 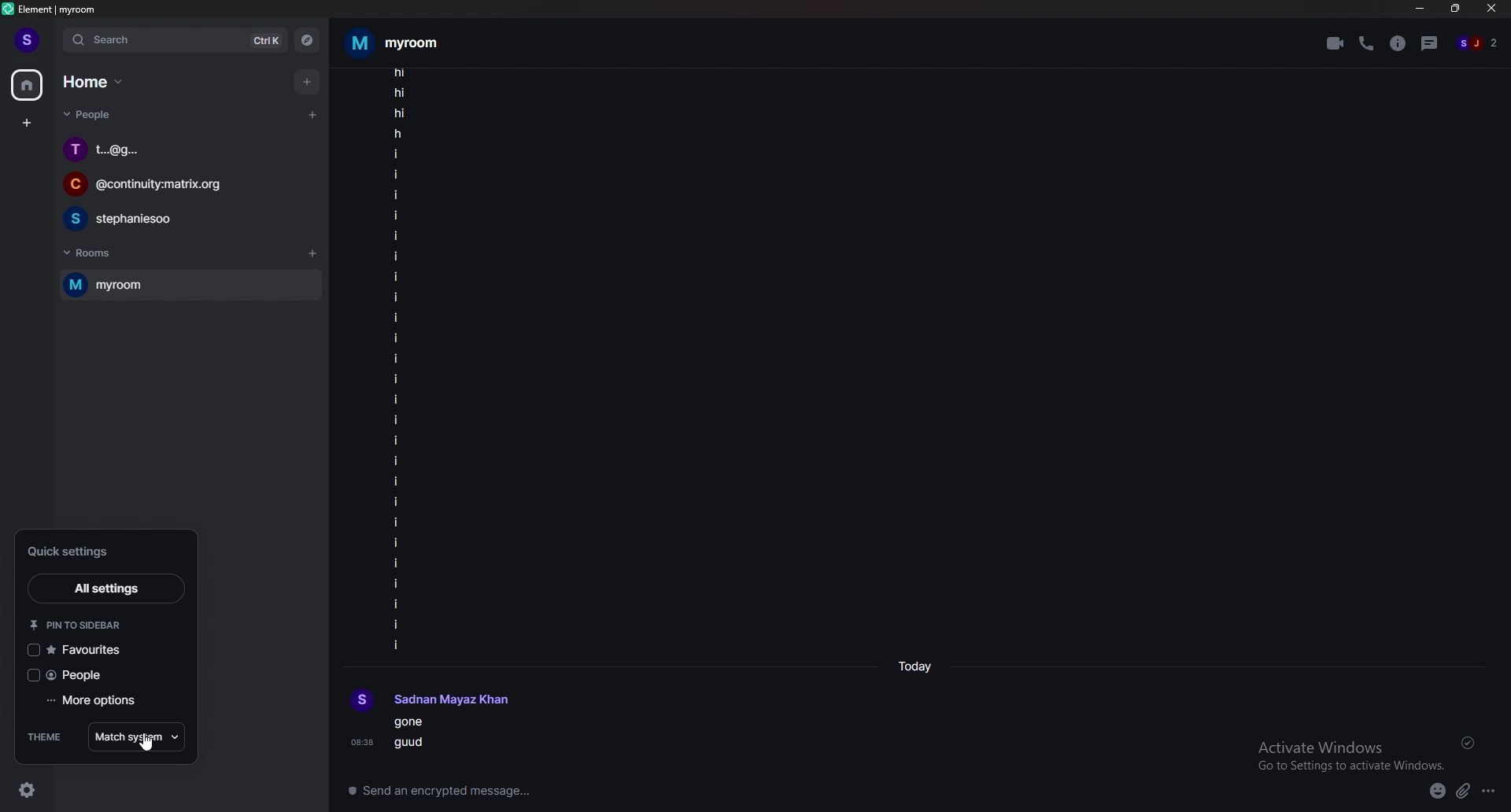 What do you see at coordinates (96, 551) in the screenshot?
I see `quick settings` at bounding box center [96, 551].